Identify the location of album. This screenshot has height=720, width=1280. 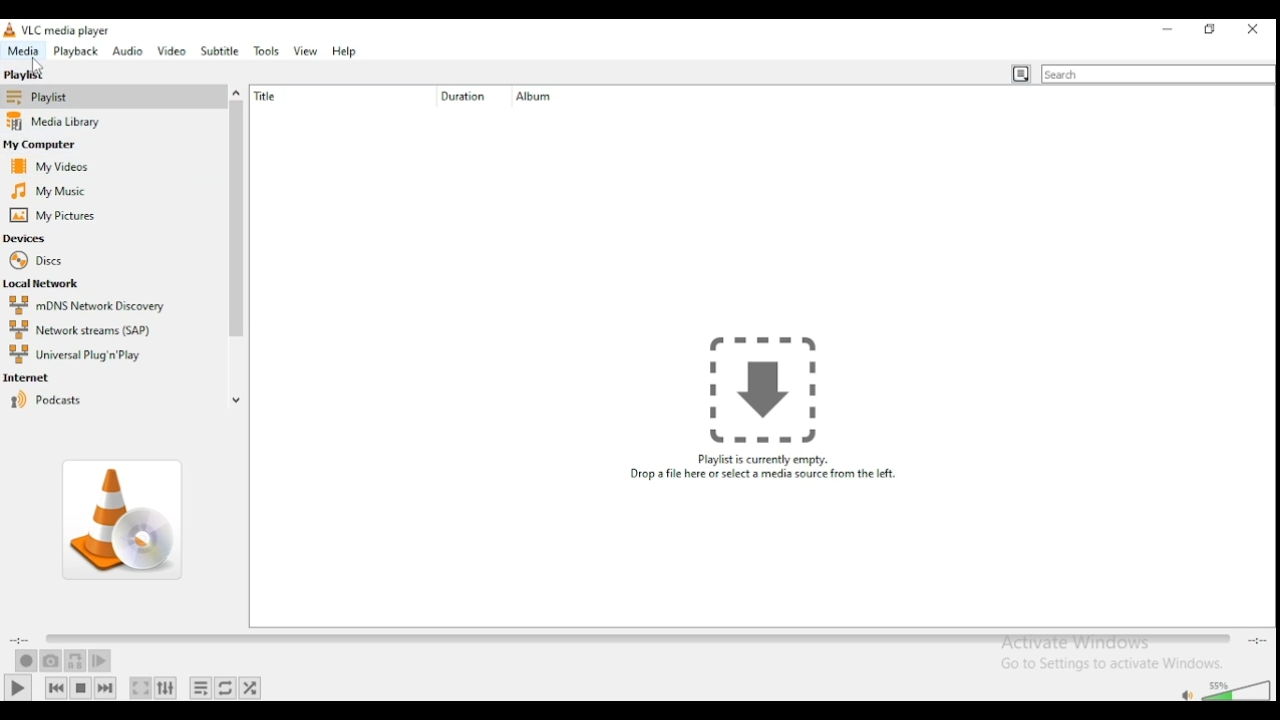
(531, 98).